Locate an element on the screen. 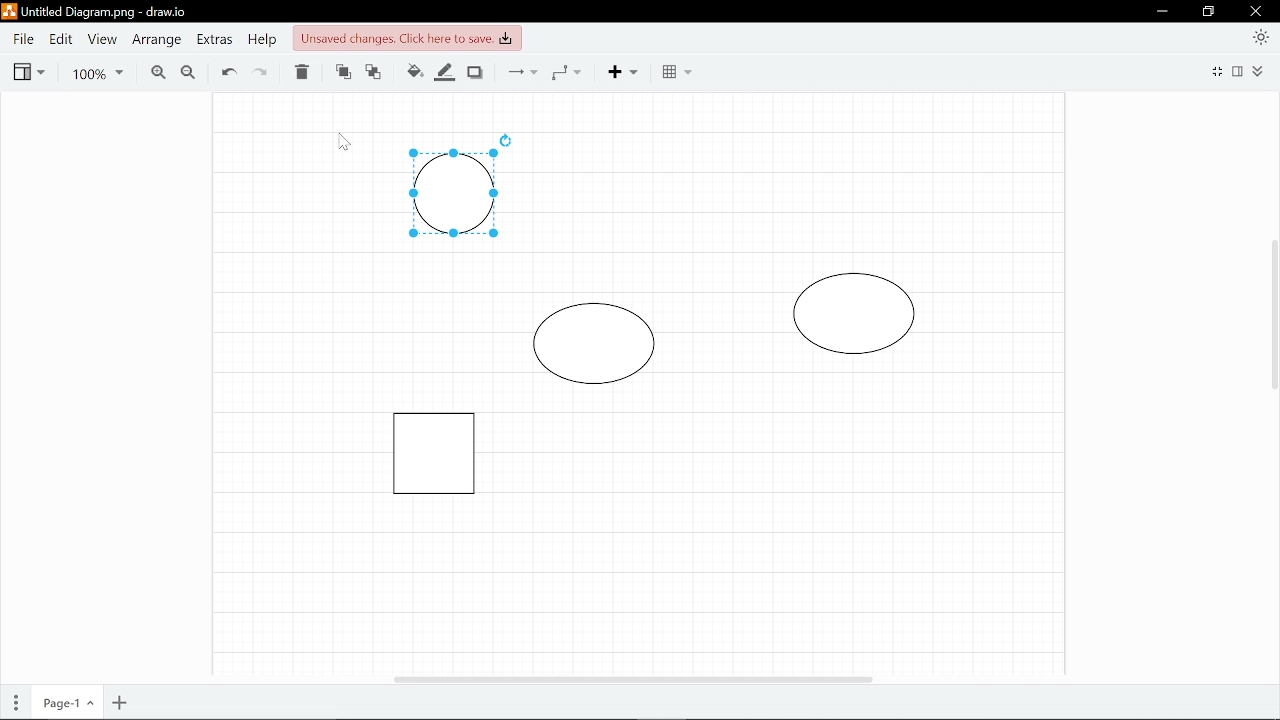  Rotate is located at coordinates (506, 140).